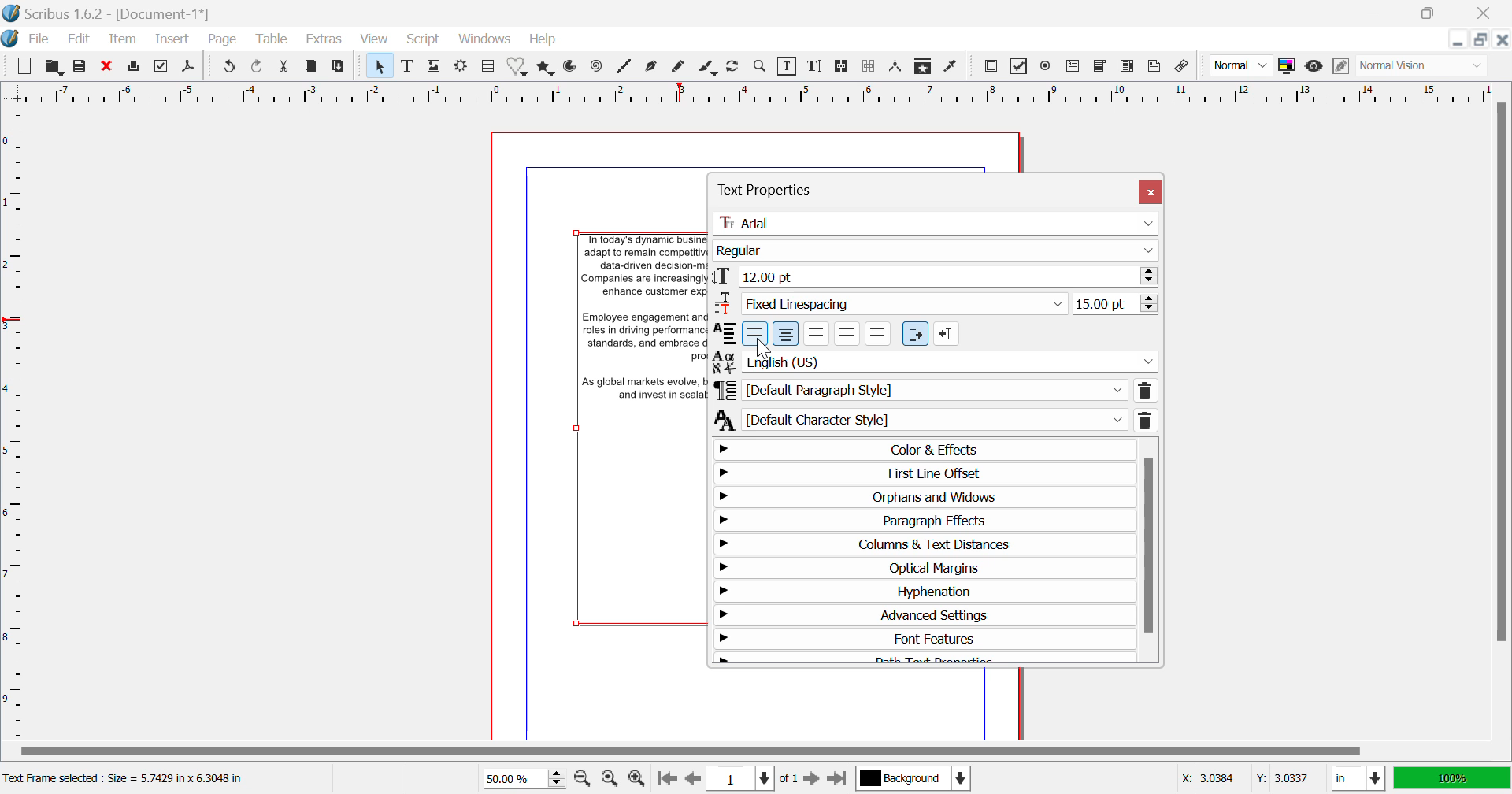  Describe the element at coordinates (523, 777) in the screenshot. I see `Zoom 50%` at that location.